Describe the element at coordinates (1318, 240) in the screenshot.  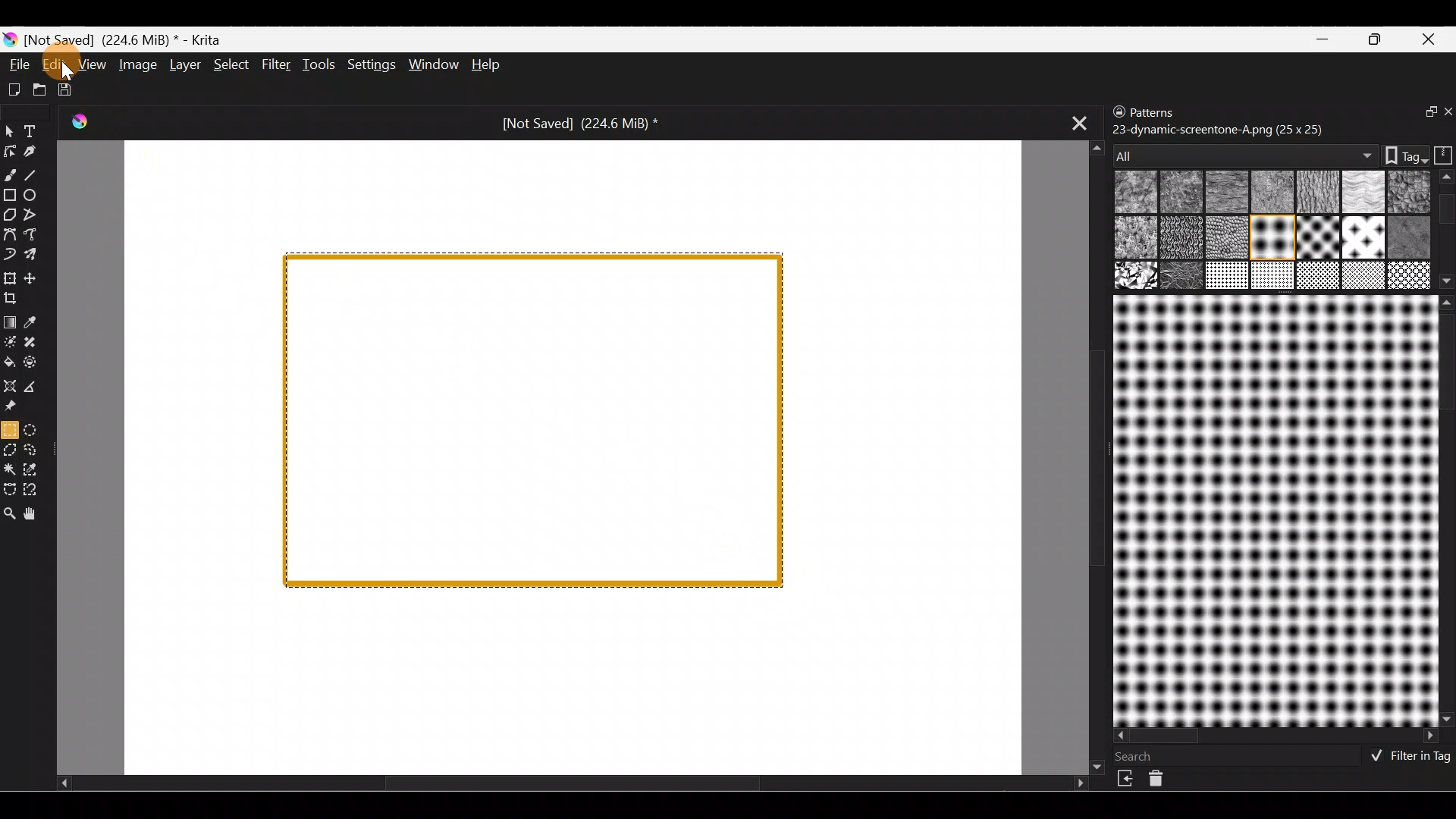
I see `11 drawed_furry.png` at that location.